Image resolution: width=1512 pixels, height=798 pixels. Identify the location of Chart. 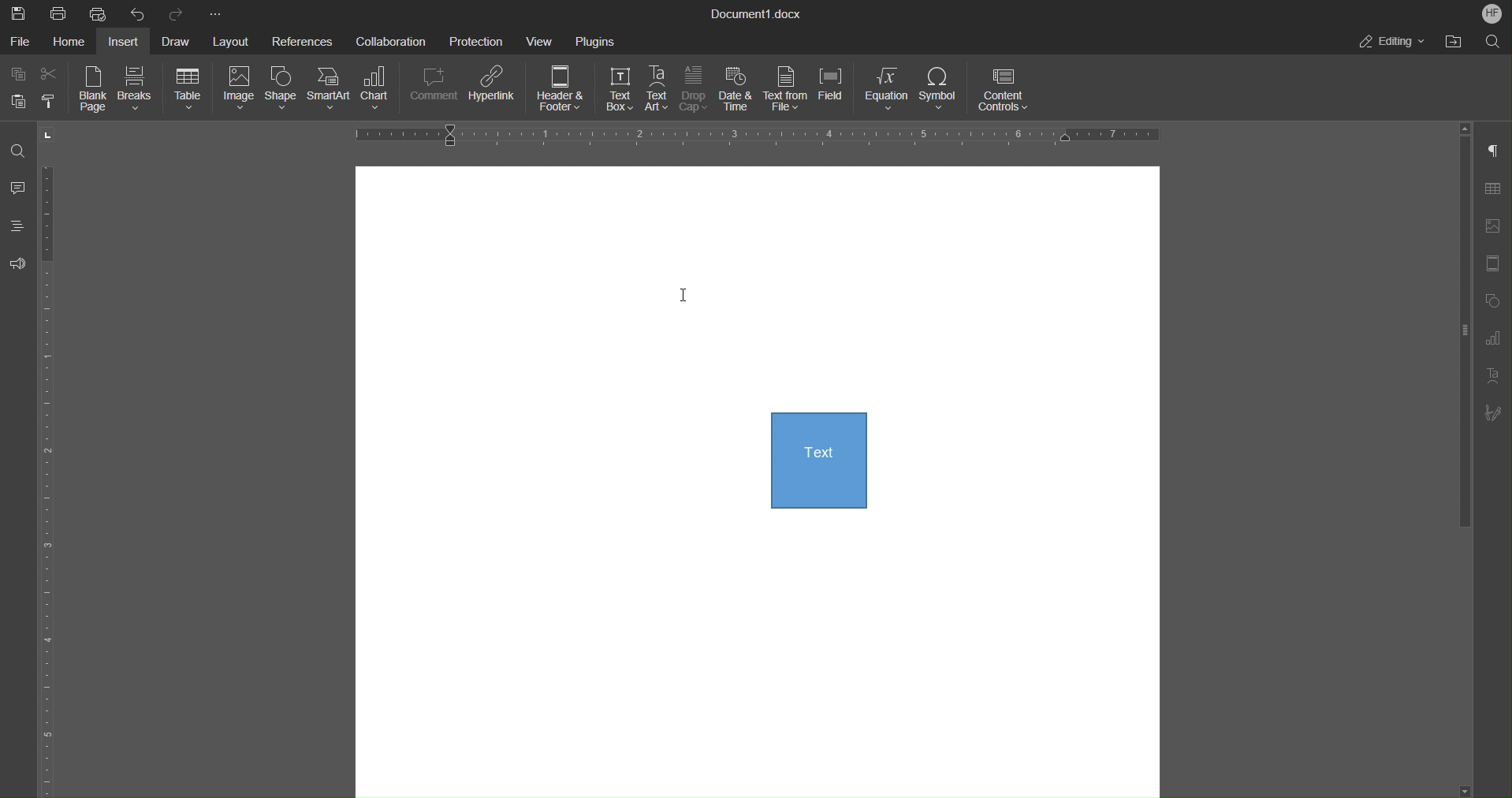
(382, 91).